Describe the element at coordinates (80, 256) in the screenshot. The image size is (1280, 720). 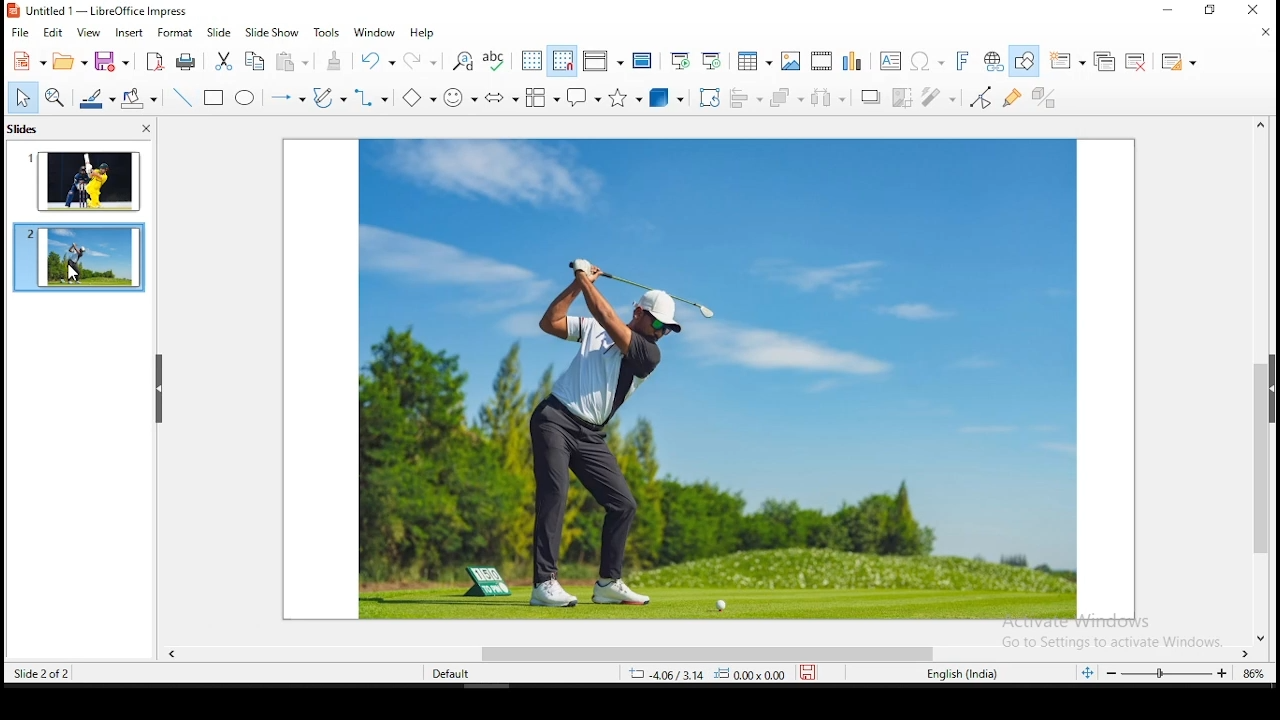
I see `slide 2` at that location.